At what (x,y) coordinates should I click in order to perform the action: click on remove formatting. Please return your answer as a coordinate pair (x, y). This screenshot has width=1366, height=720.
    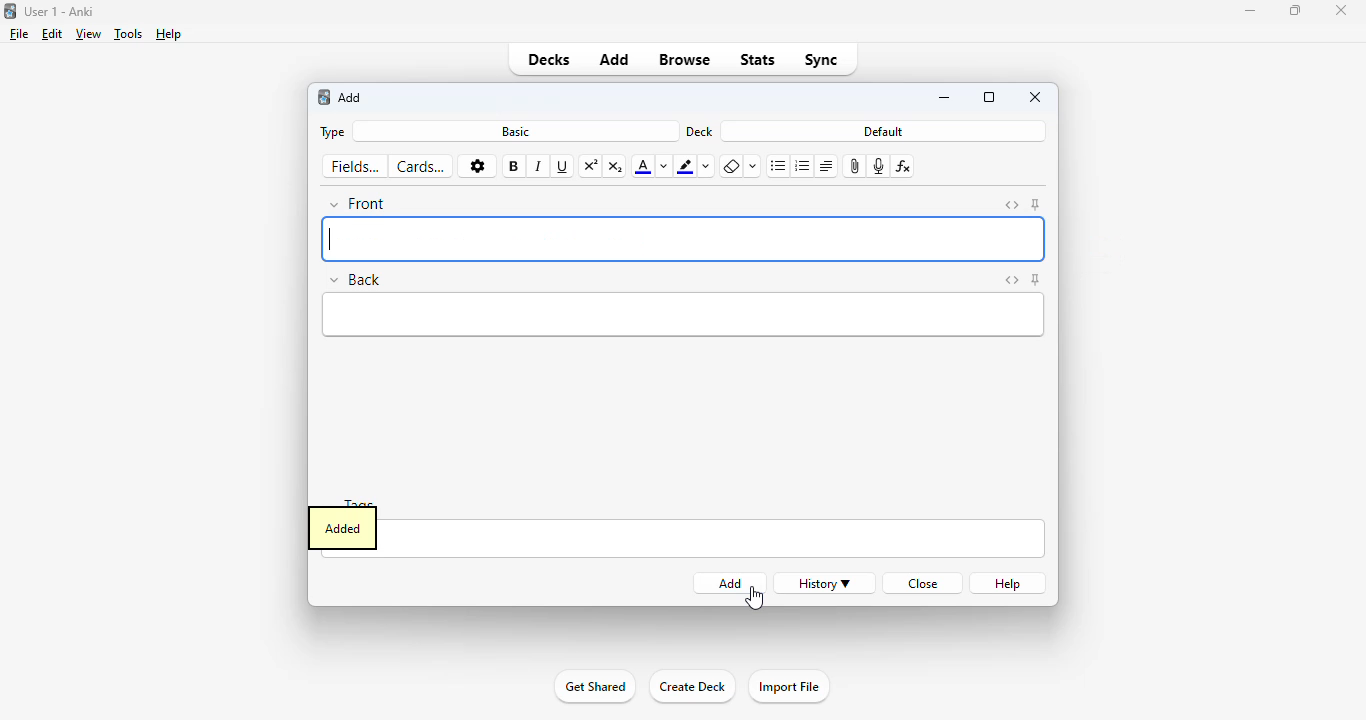
    Looking at the image, I should click on (731, 167).